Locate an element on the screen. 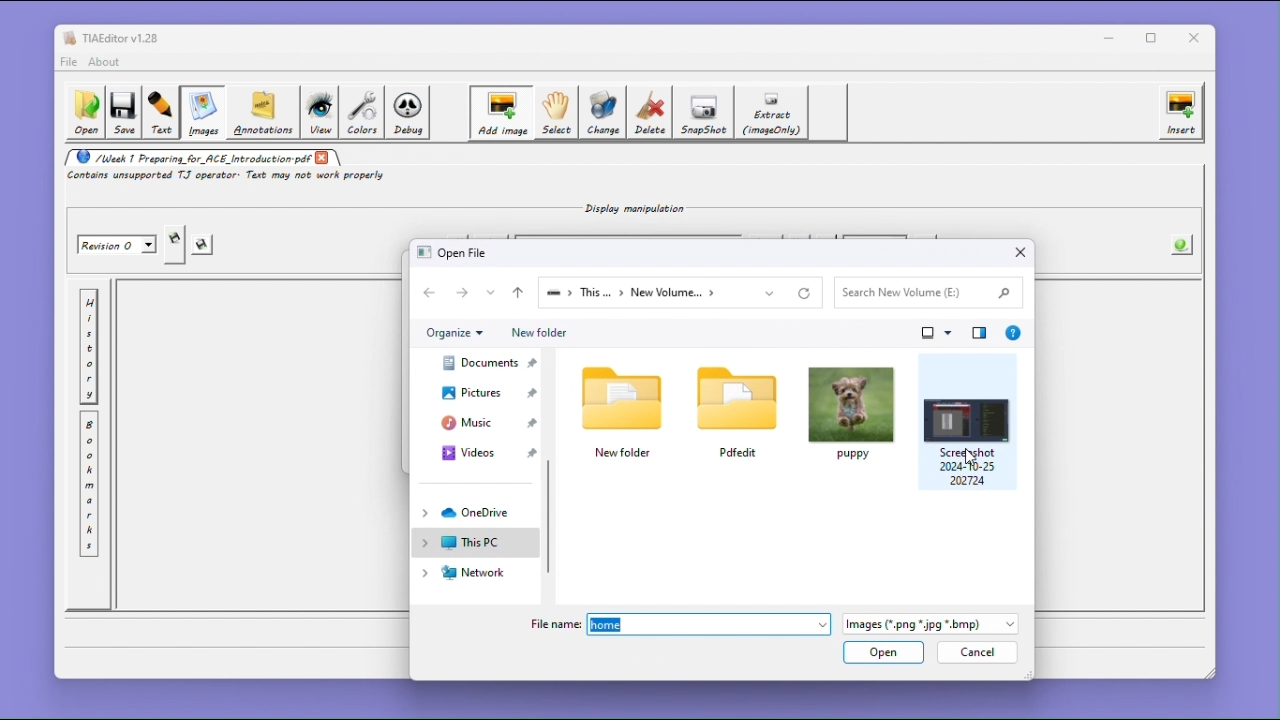 This screenshot has width=1280, height=720. cancel is located at coordinates (975, 654).